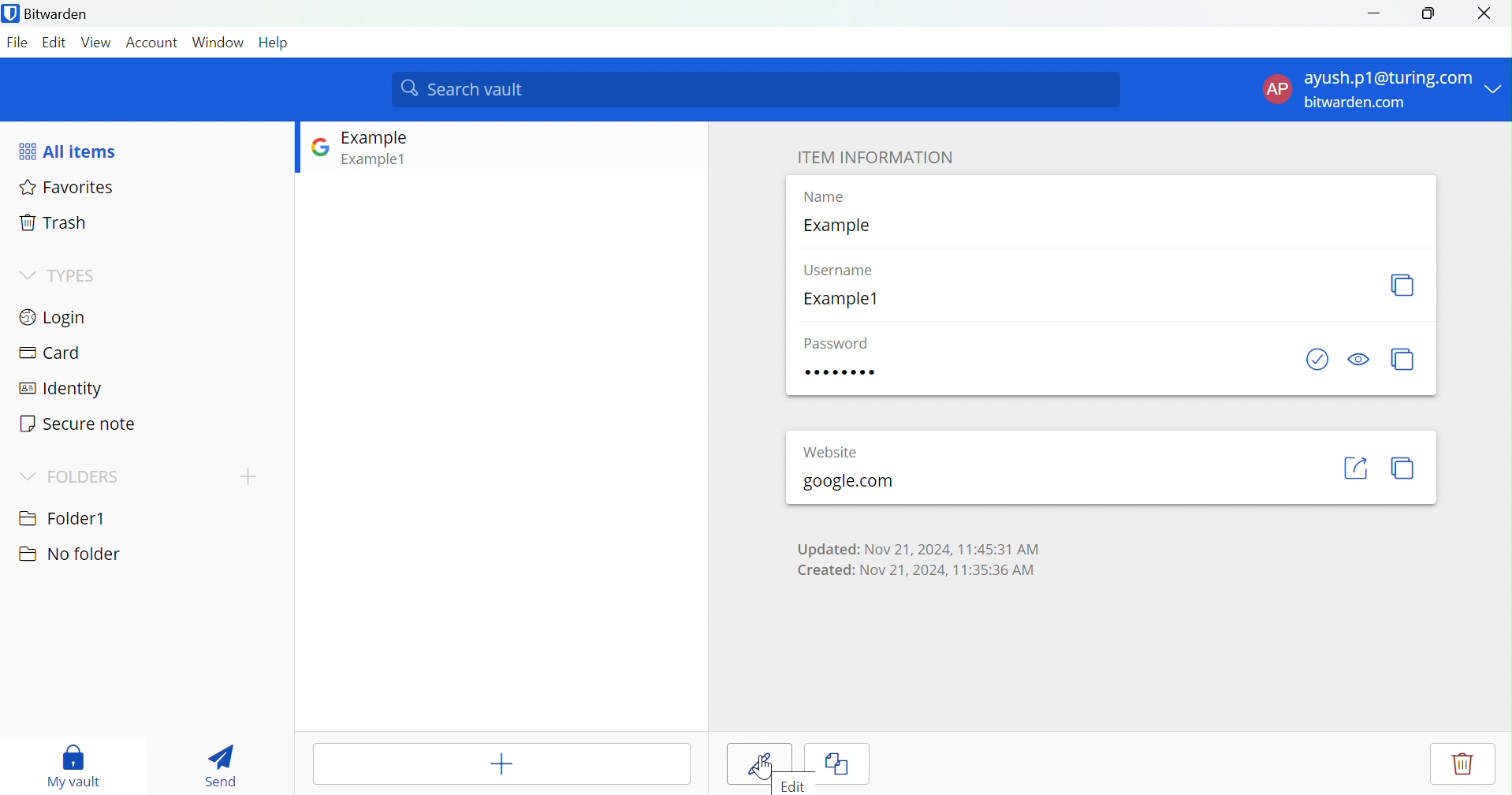 This screenshot has width=1512, height=795. What do you see at coordinates (74, 277) in the screenshot?
I see `TYPES` at bounding box center [74, 277].